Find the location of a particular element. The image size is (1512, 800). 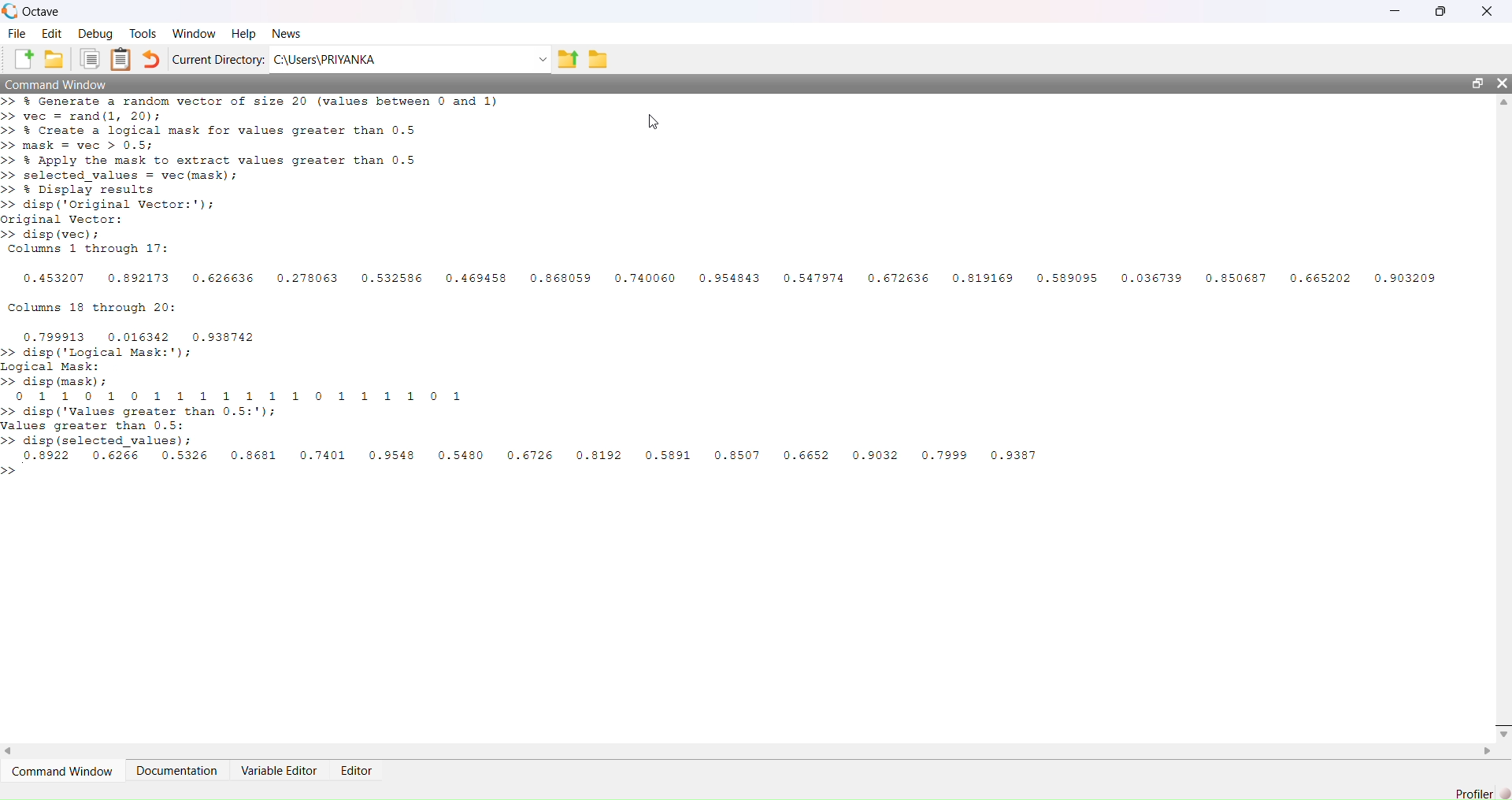

Window is located at coordinates (195, 34).